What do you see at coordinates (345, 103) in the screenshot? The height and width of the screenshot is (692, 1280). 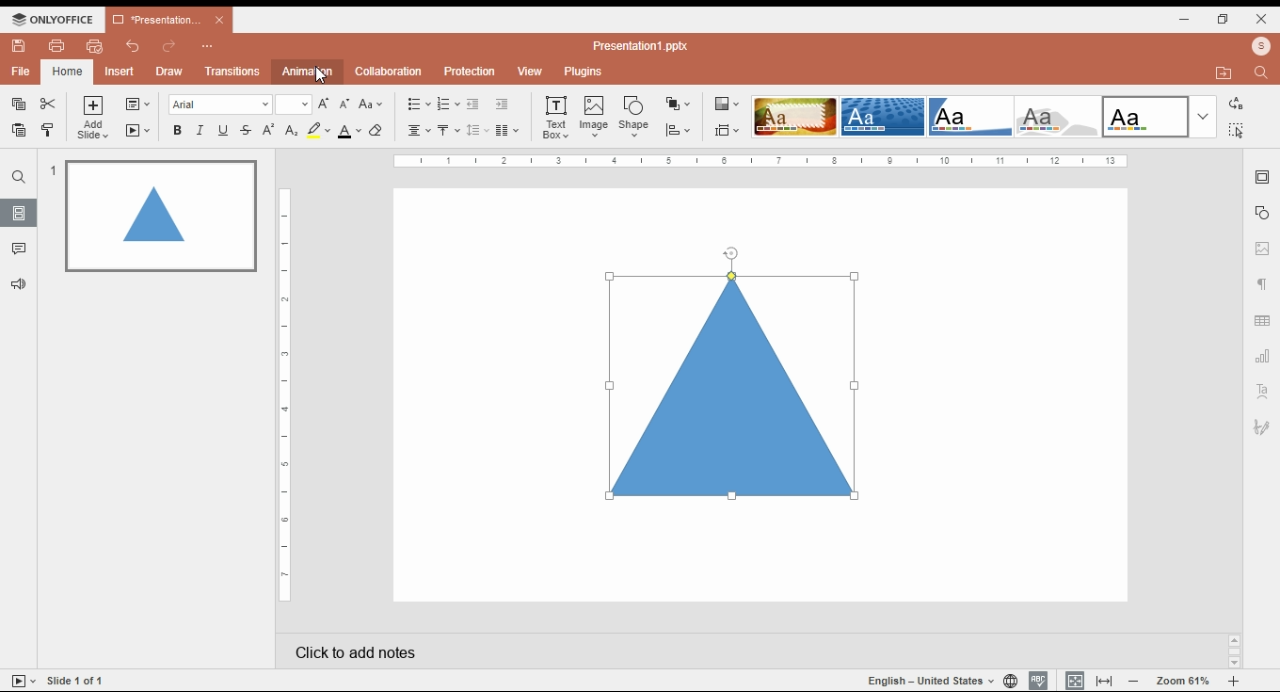 I see `decrement font size` at bounding box center [345, 103].